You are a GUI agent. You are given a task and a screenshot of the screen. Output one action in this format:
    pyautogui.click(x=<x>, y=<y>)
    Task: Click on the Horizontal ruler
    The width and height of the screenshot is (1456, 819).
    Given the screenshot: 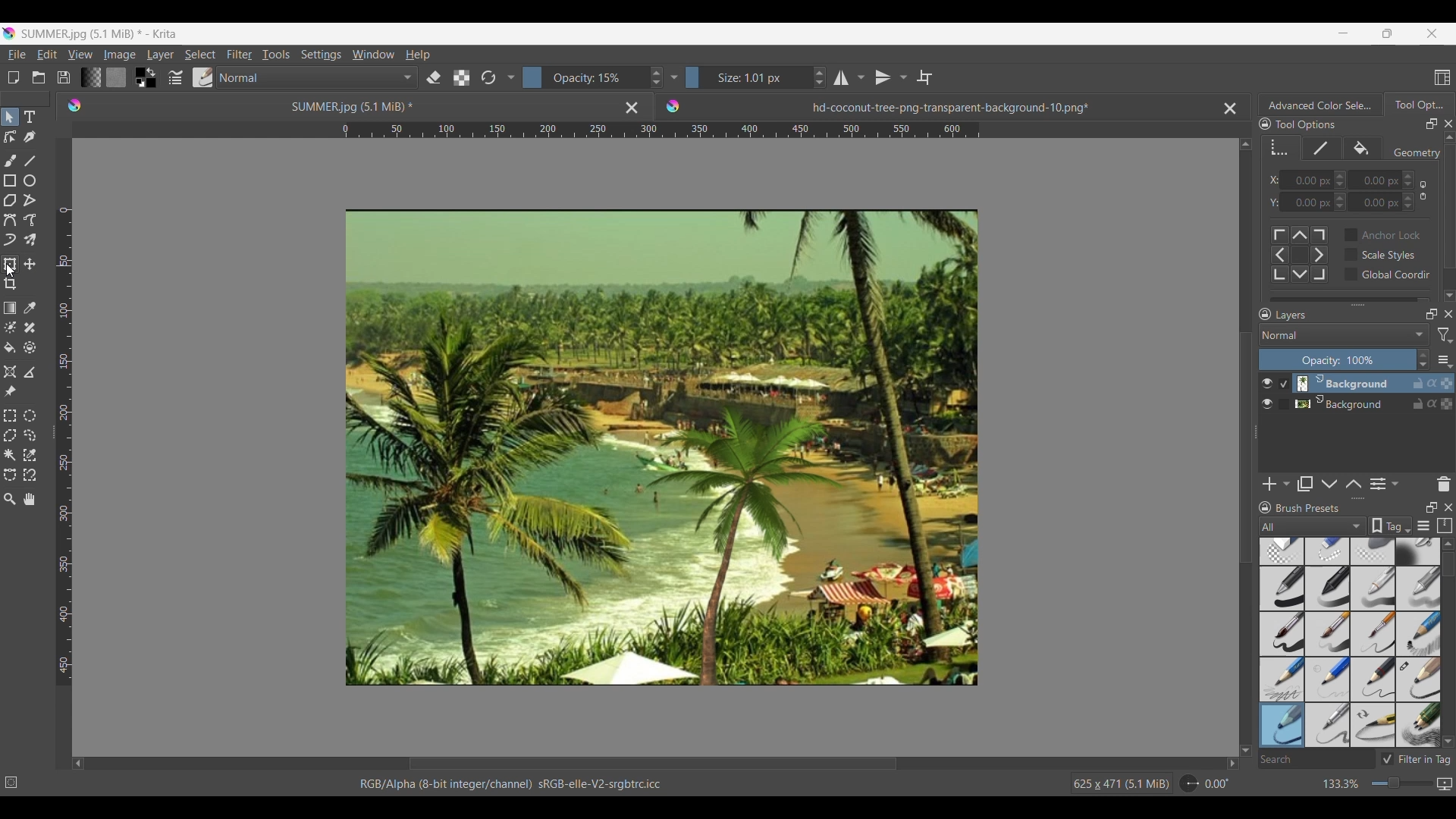 What is the action you would take?
    pyautogui.click(x=661, y=132)
    